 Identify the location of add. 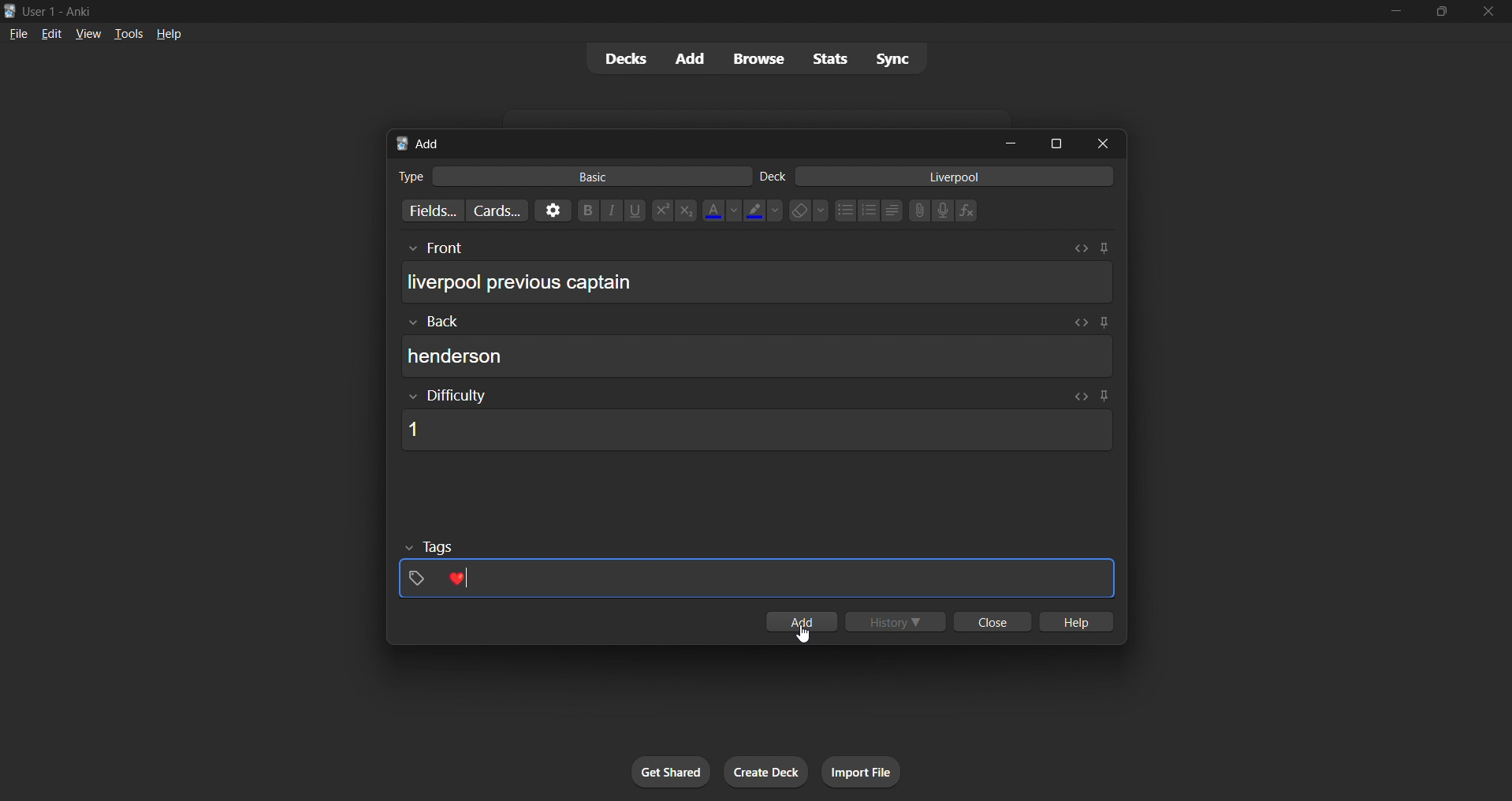
(800, 617).